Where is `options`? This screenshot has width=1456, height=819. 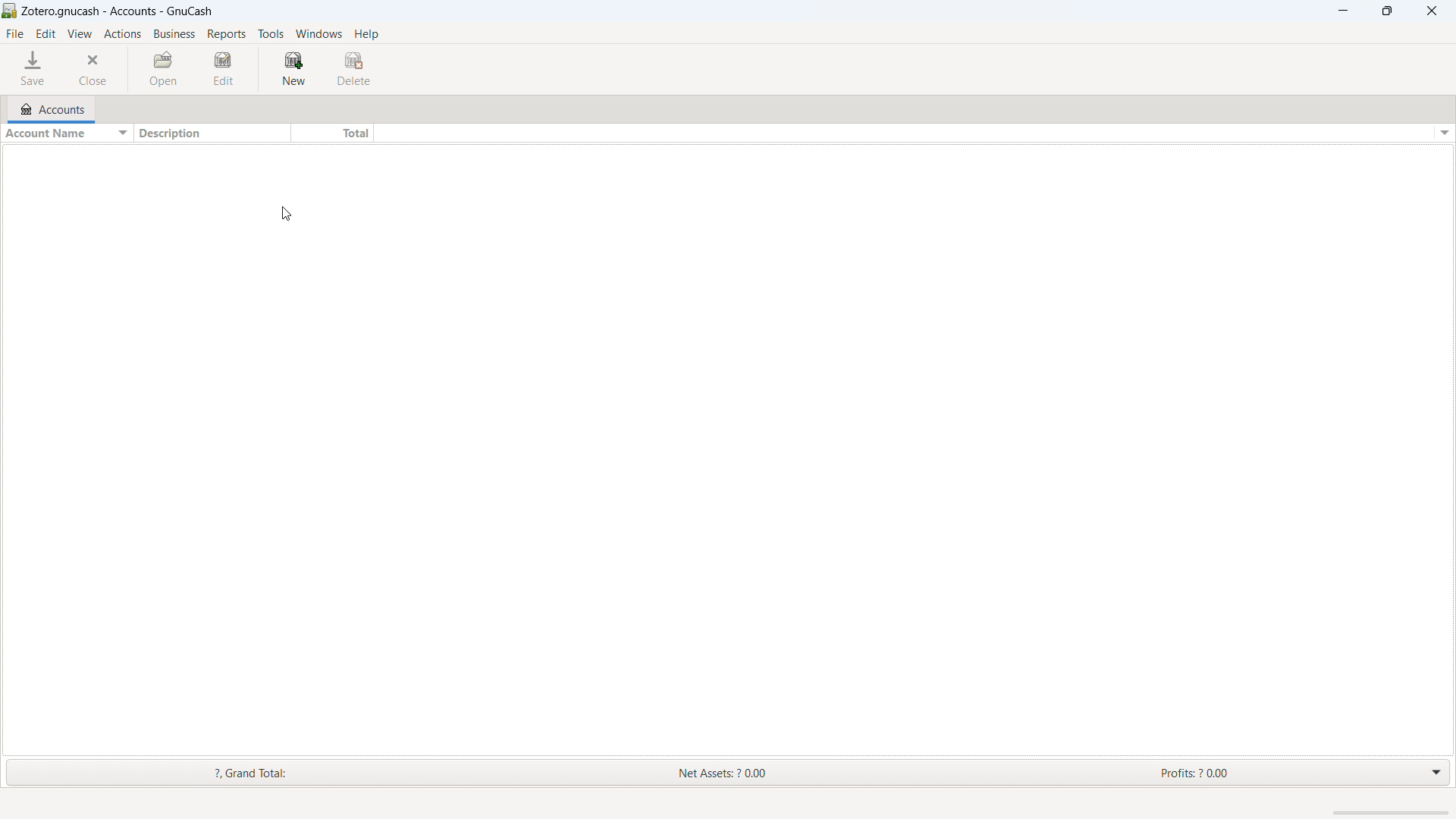
options is located at coordinates (1442, 133).